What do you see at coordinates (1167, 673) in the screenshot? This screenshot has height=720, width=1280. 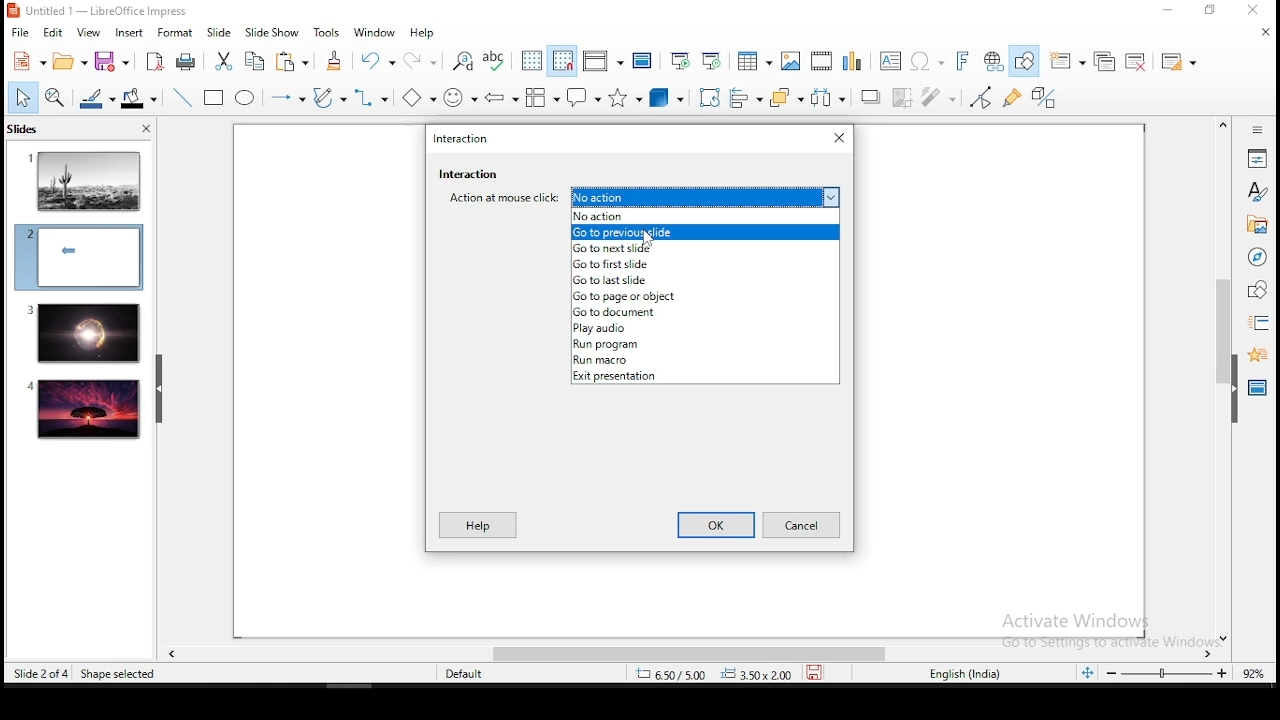 I see `zoom` at bounding box center [1167, 673].